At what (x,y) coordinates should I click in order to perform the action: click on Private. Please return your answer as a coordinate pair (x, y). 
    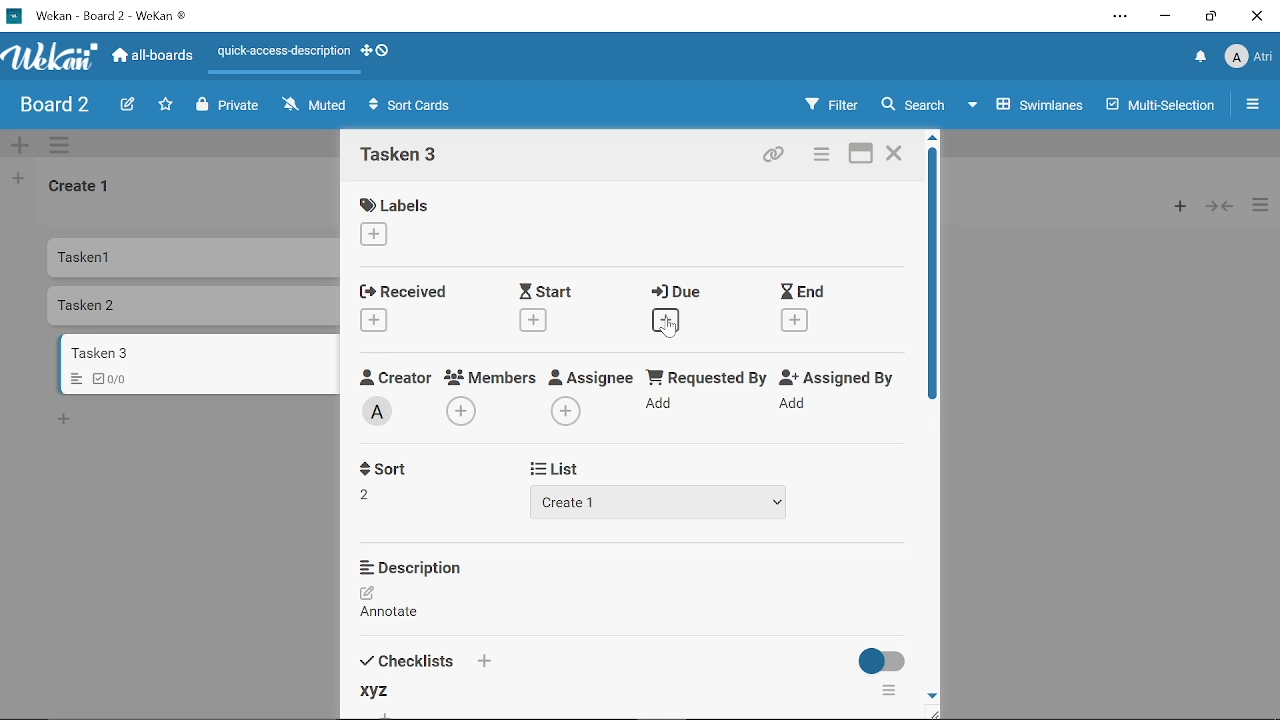
    Looking at the image, I should click on (228, 105).